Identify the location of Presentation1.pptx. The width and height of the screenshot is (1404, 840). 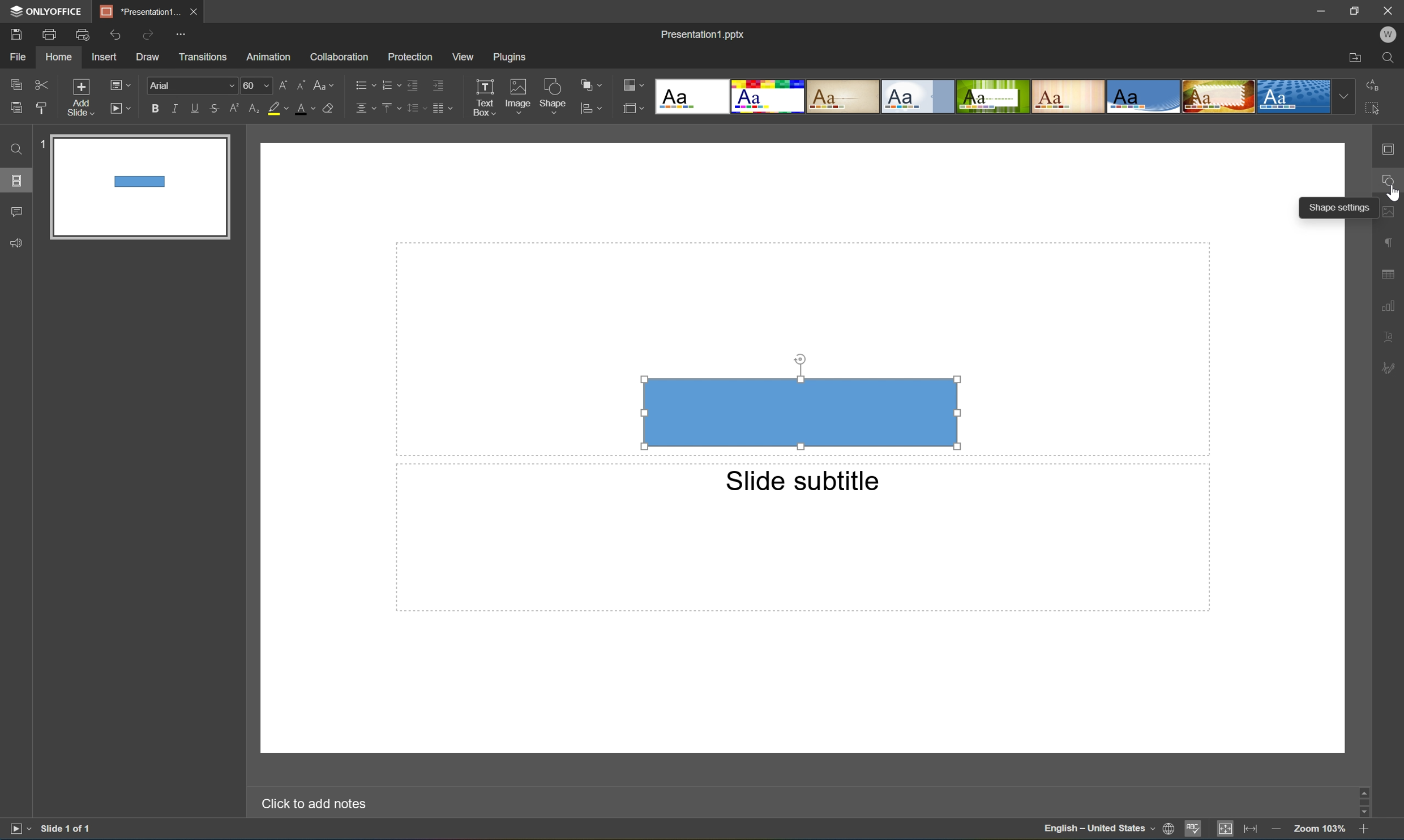
(702, 37).